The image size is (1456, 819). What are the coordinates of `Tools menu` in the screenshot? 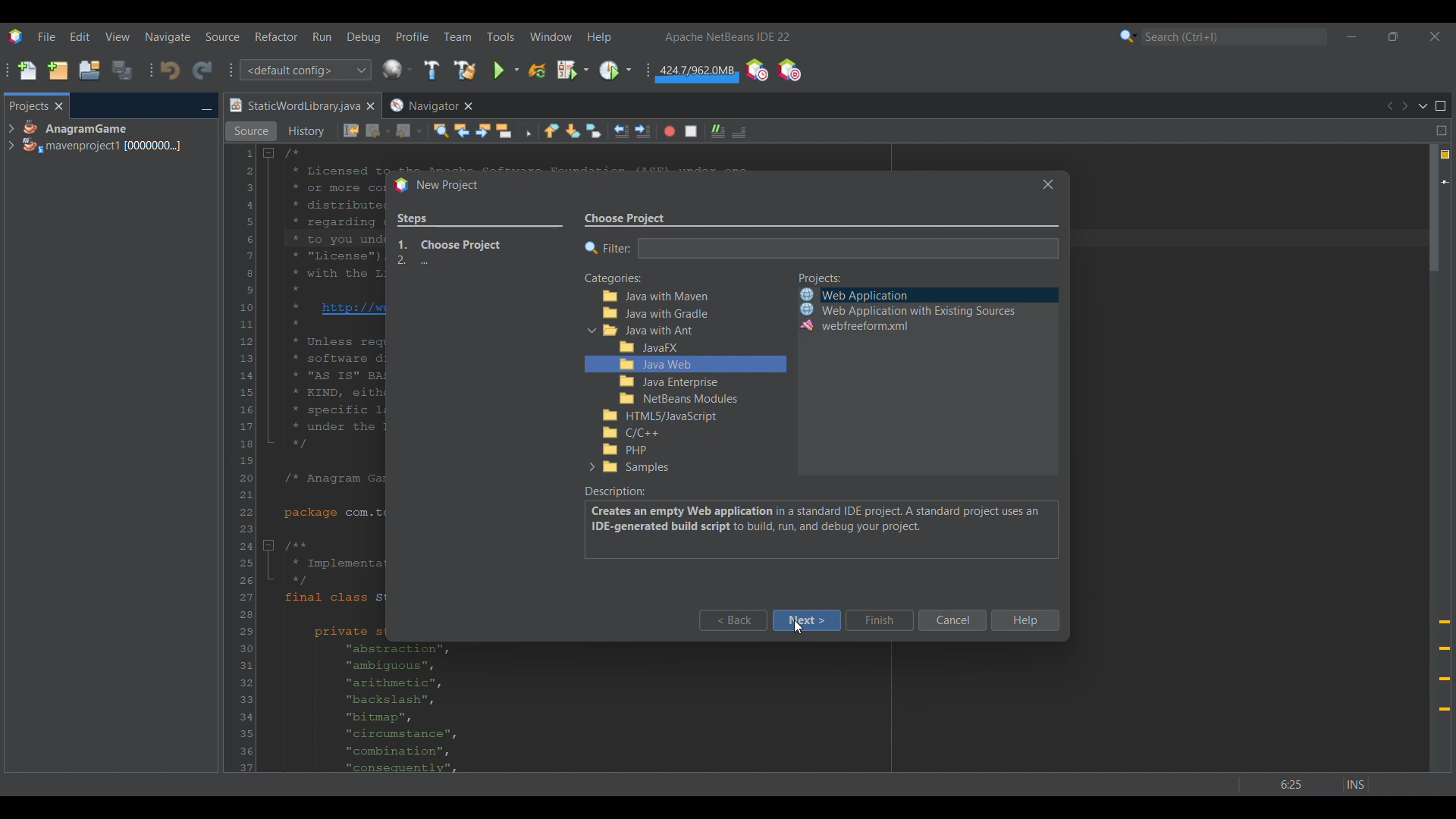 It's located at (500, 36).